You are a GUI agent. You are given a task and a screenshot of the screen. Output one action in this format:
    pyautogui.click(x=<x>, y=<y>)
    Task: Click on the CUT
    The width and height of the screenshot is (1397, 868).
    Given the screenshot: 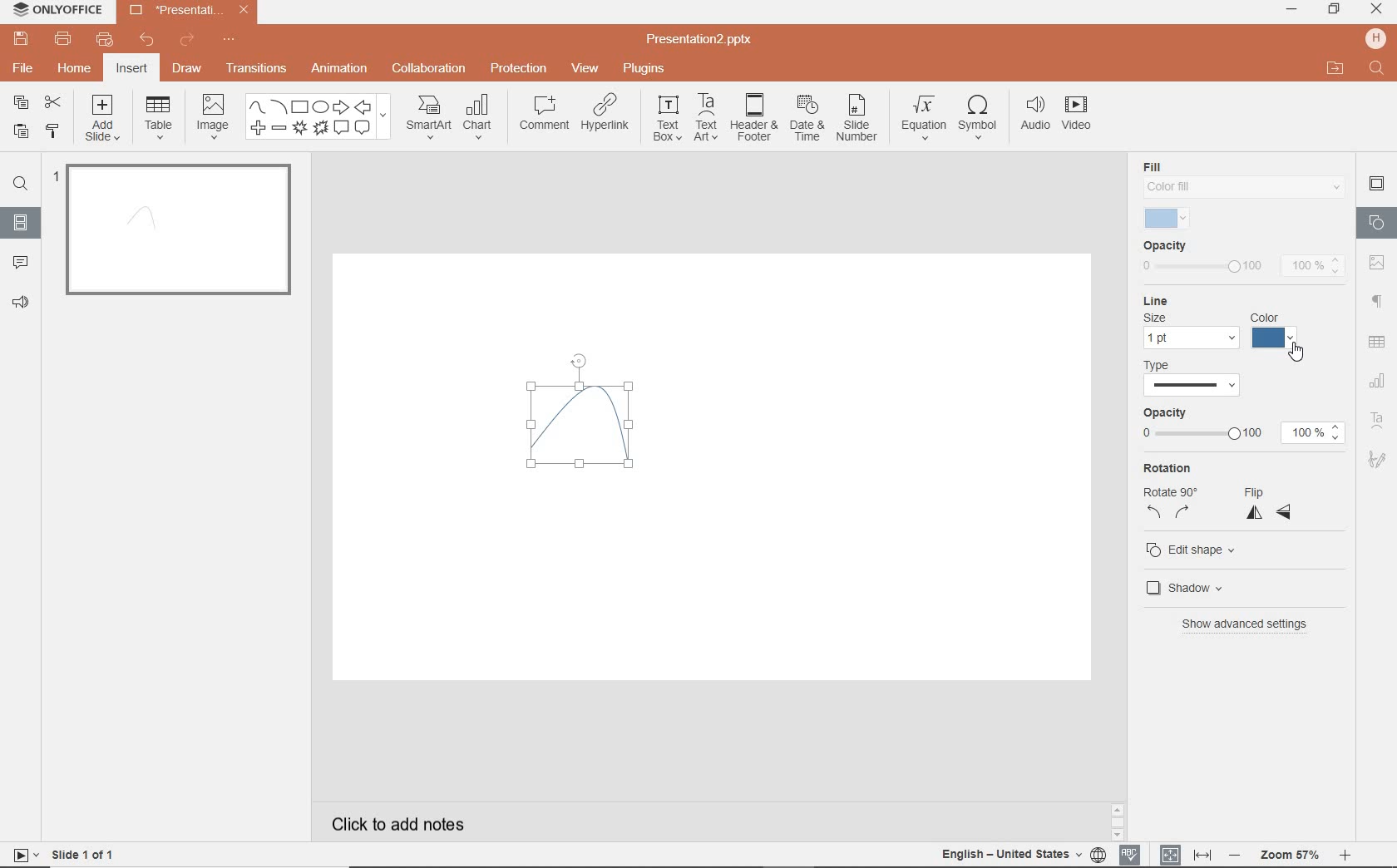 What is the action you would take?
    pyautogui.click(x=52, y=102)
    